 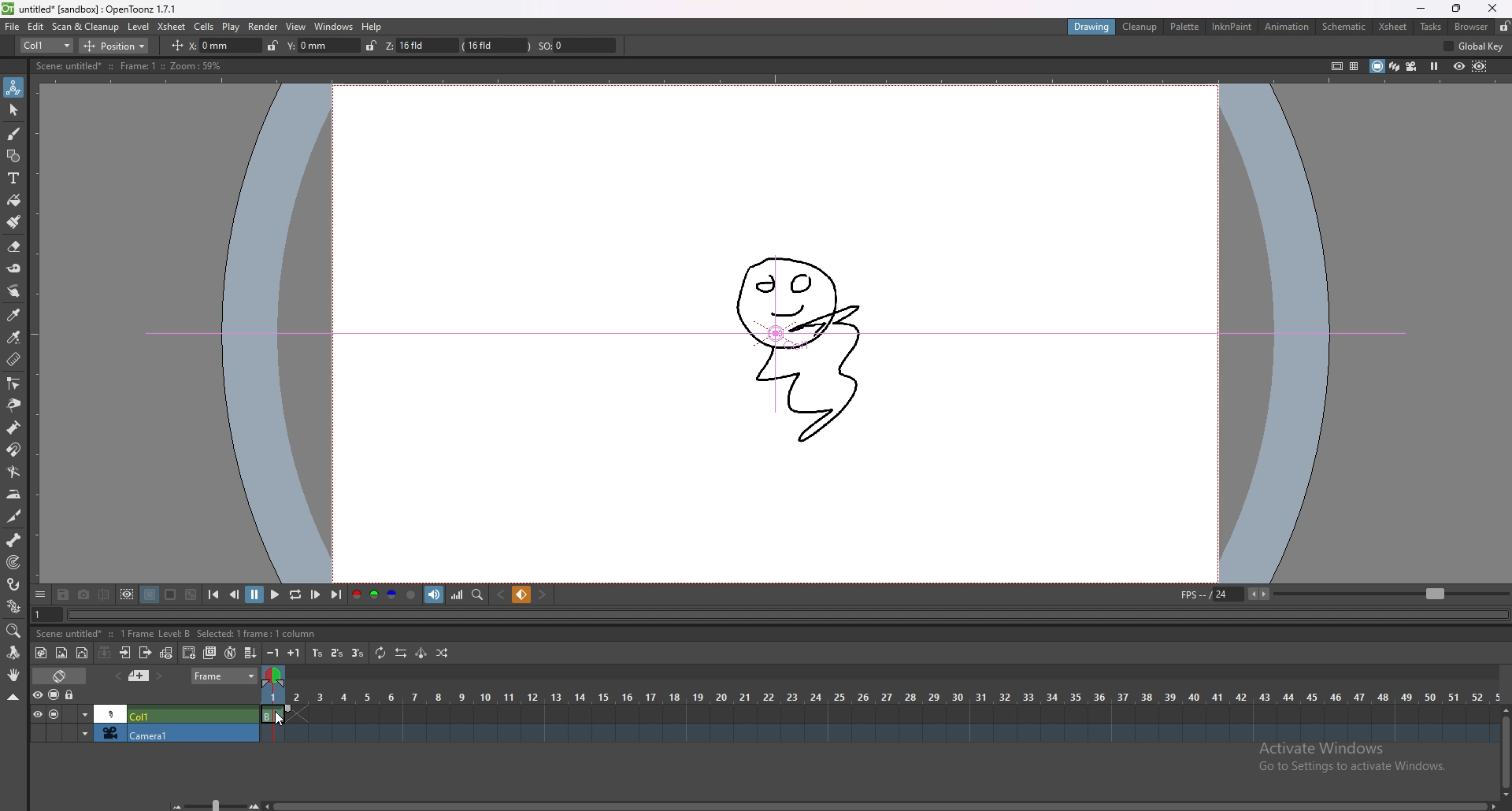 What do you see at coordinates (297, 27) in the screenshot?
I see `view` at bounding box center [297, 27].